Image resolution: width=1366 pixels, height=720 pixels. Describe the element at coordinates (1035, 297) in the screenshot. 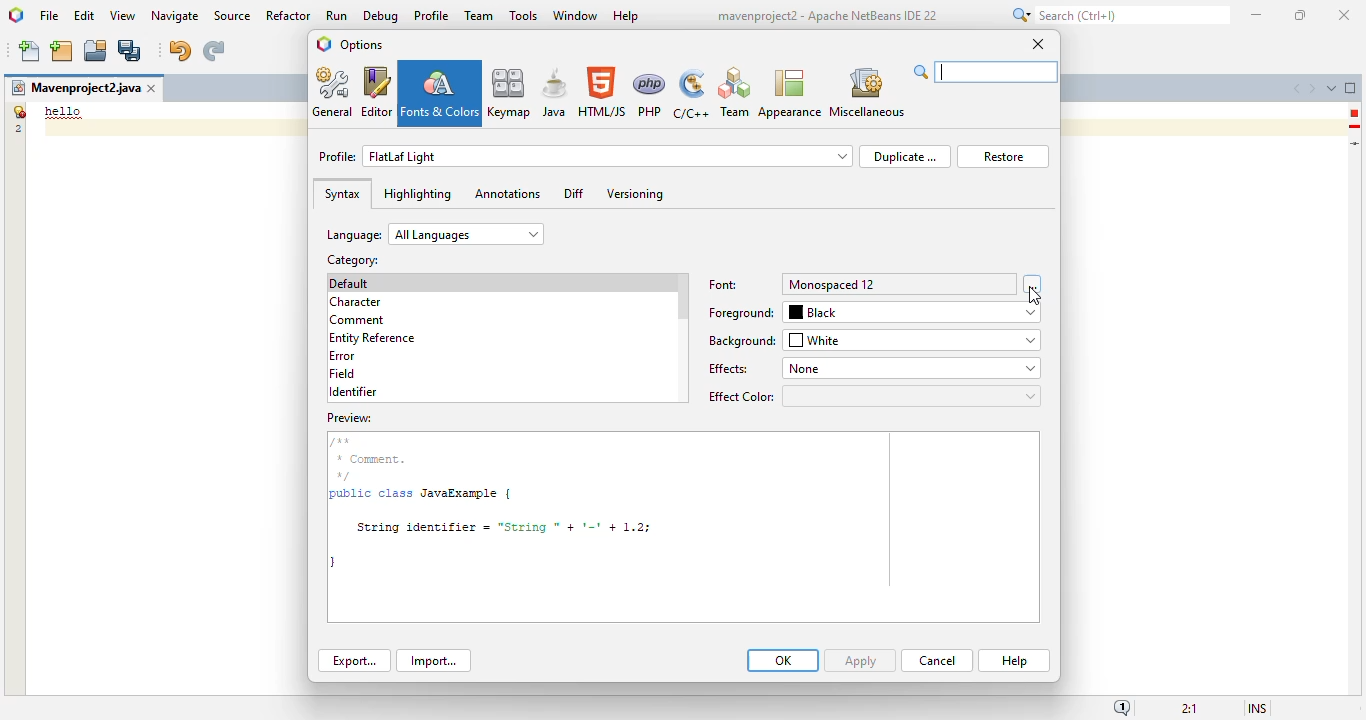

I see `cursor` at that location.